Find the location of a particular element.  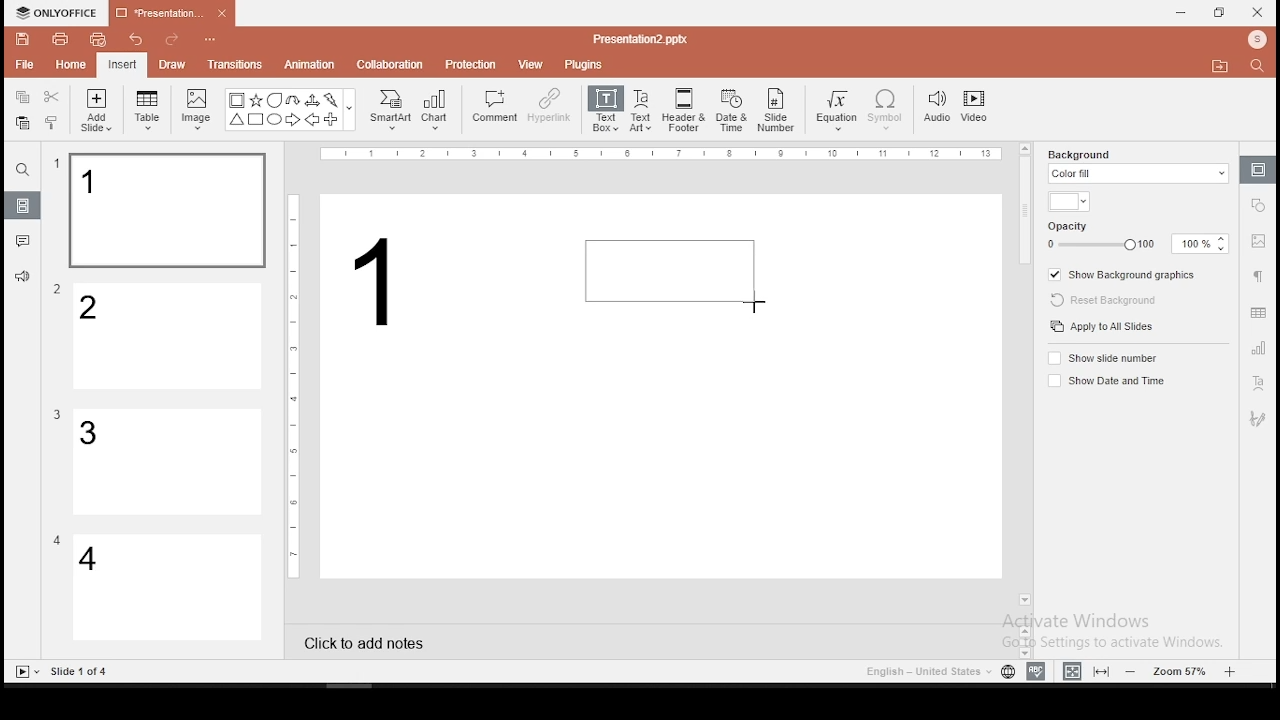

fit to slide is located at coordinates (1104, 670).